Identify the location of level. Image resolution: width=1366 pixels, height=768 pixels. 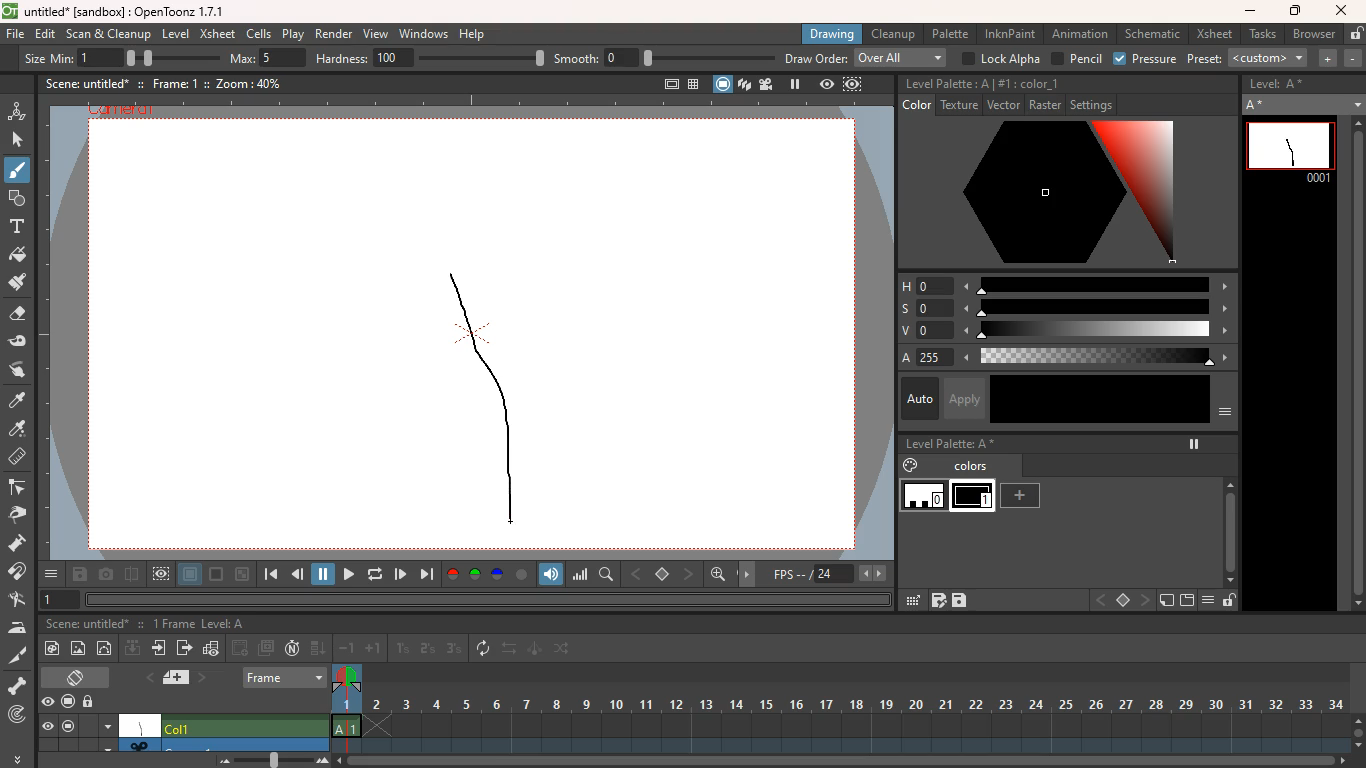
(178, 33).